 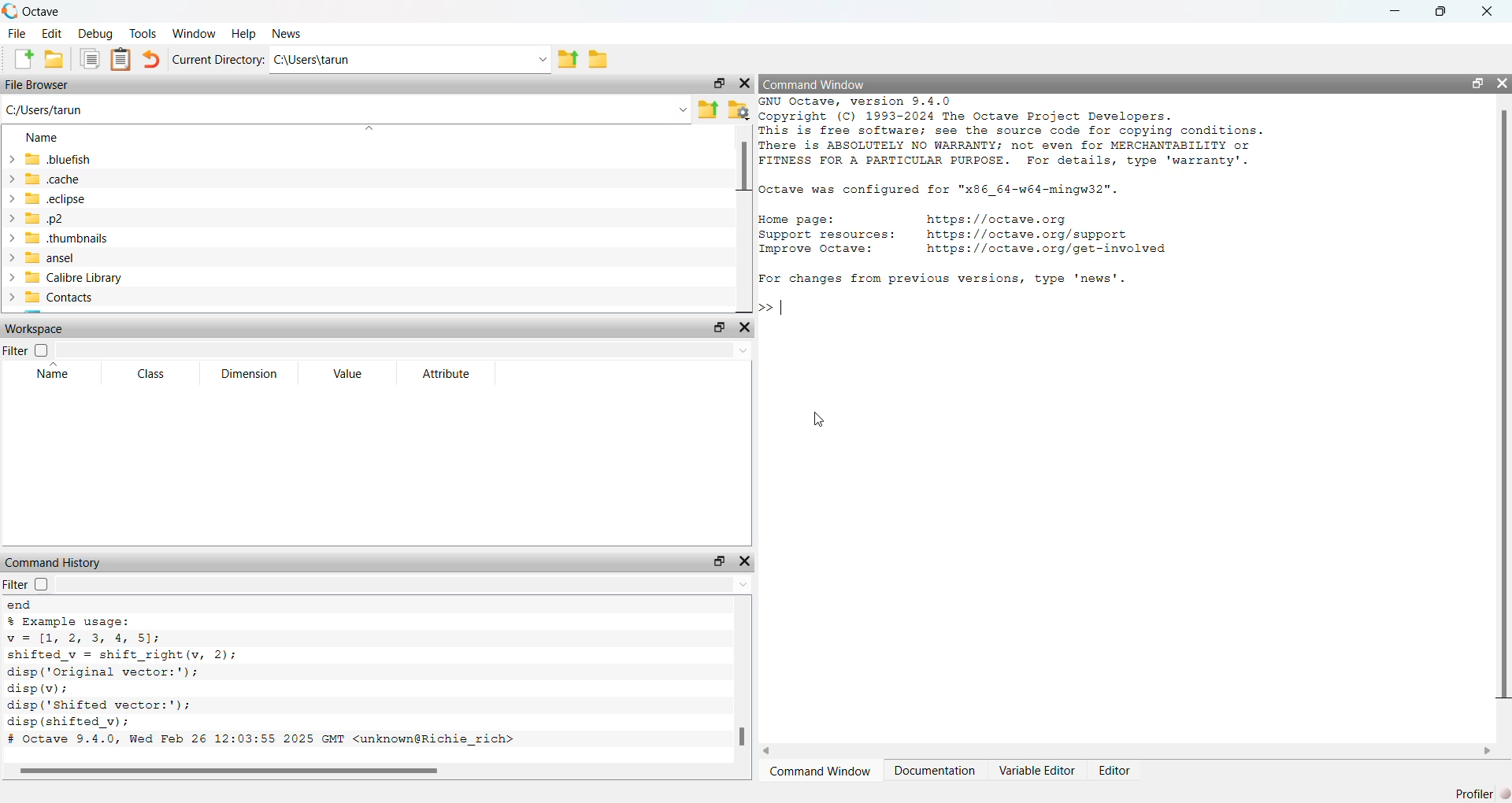 What do you see at coordinates (932, 772) in the screenshot?
I see `documentation` at bounding box center [932, 772].